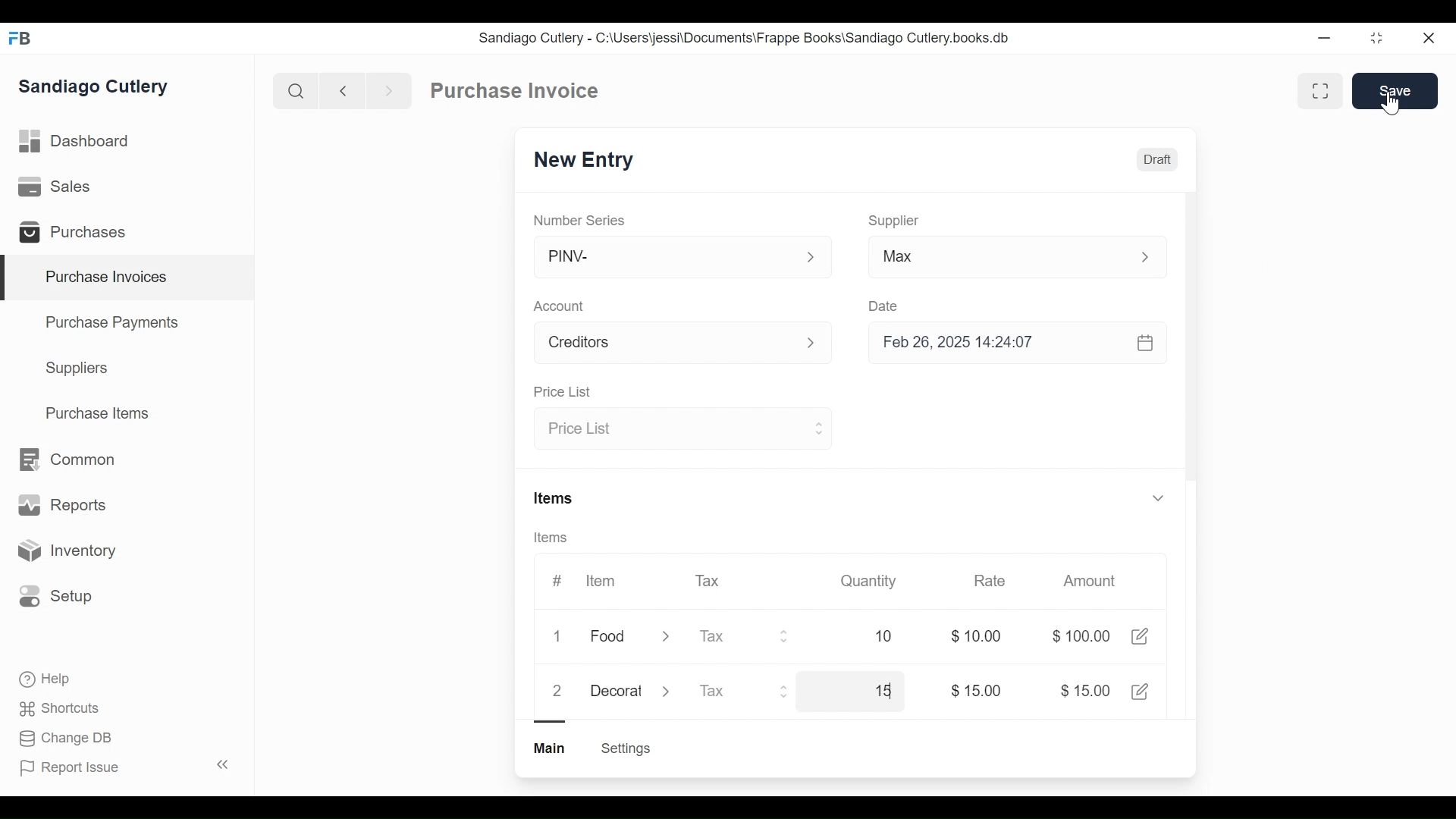 This screenshot has height=819, width=1456. Describe the element at coordinates (1009, 343) in the screenshot. I see `Feb 26, 2025 14:24:07` at that location.